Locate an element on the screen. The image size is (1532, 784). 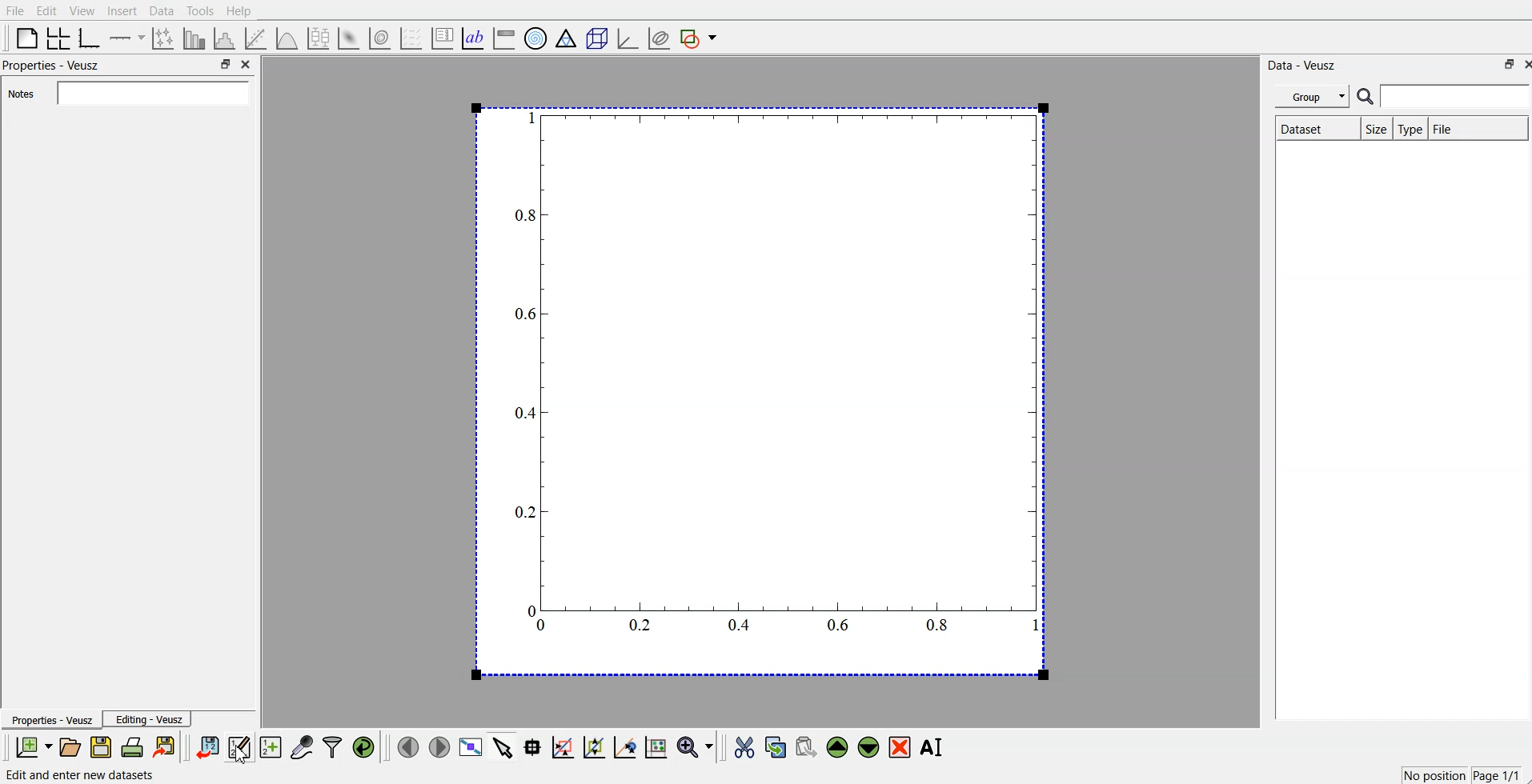
save document is located at coordinates (101, 748).